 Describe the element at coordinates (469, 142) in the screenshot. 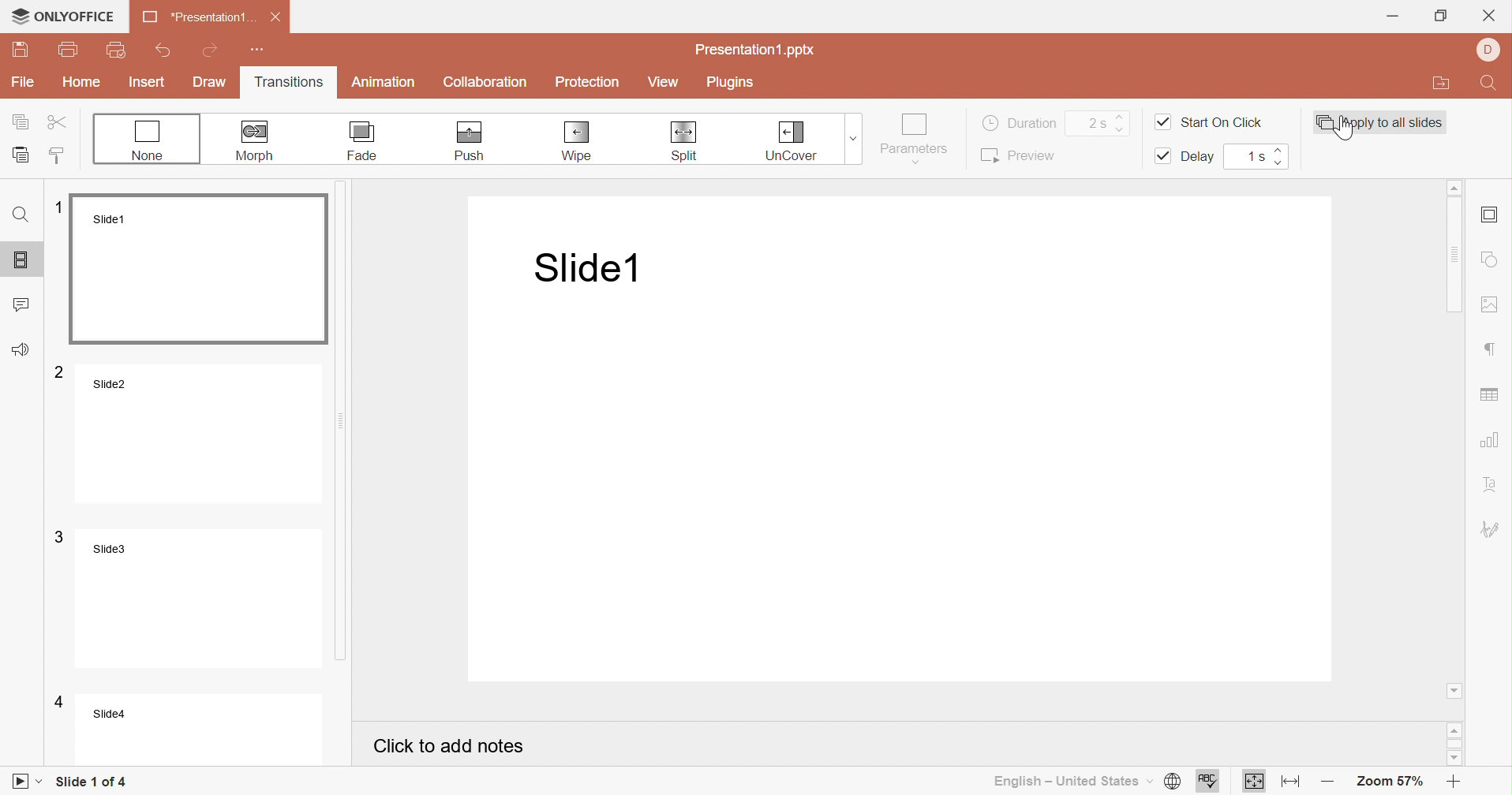

I see `Push` at that location.